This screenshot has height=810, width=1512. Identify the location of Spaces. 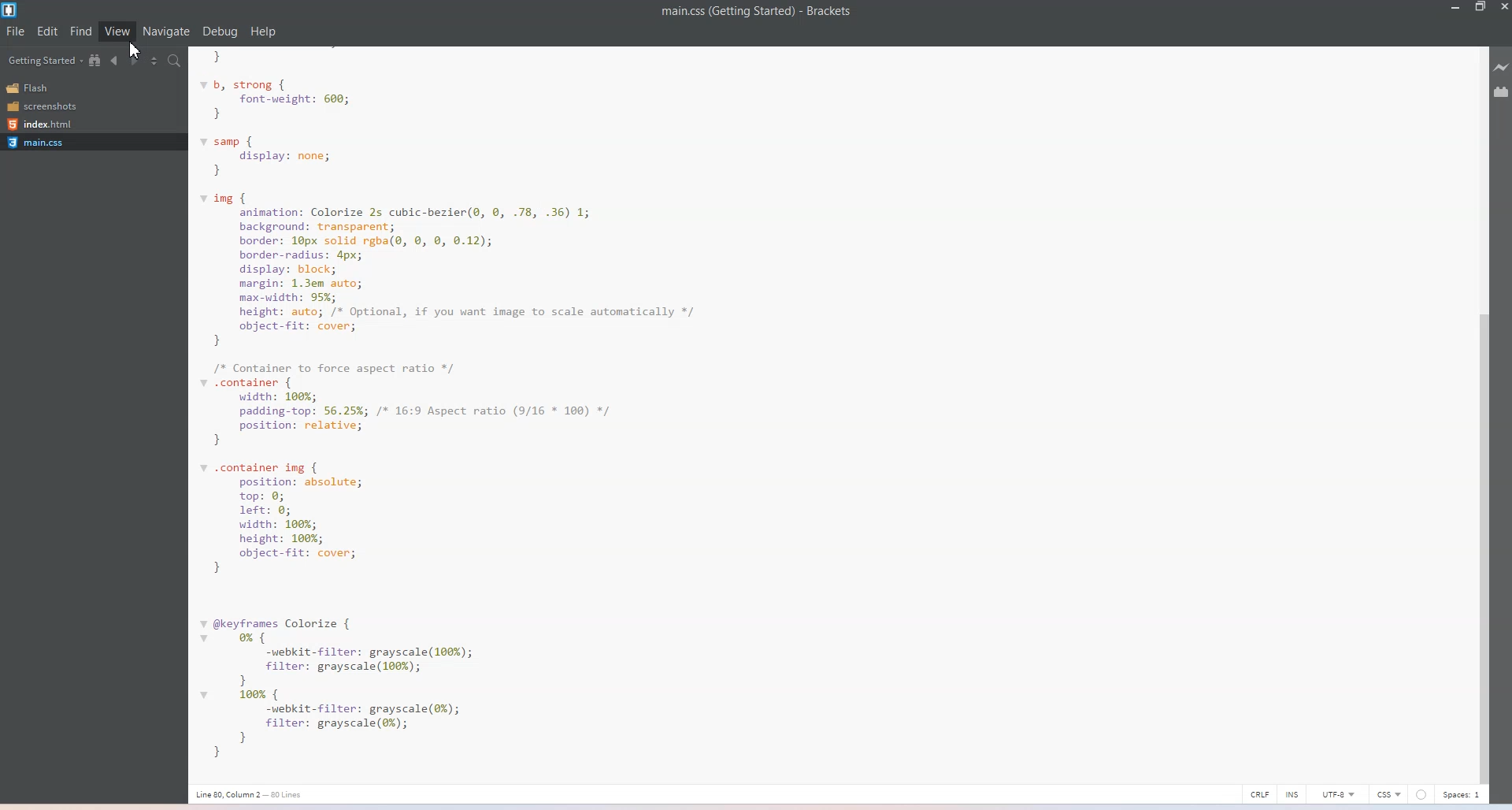
(1462, 795).